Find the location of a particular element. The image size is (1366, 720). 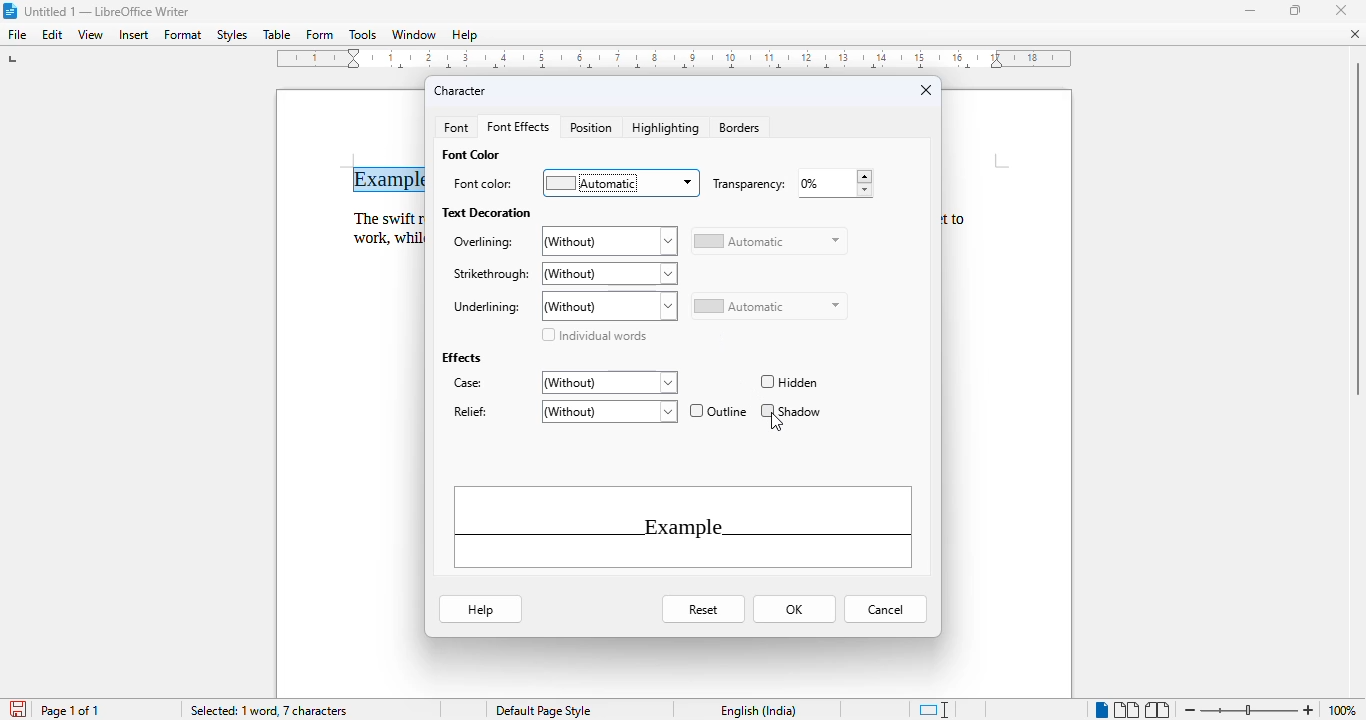

edit is located at coordinates (53, 35).